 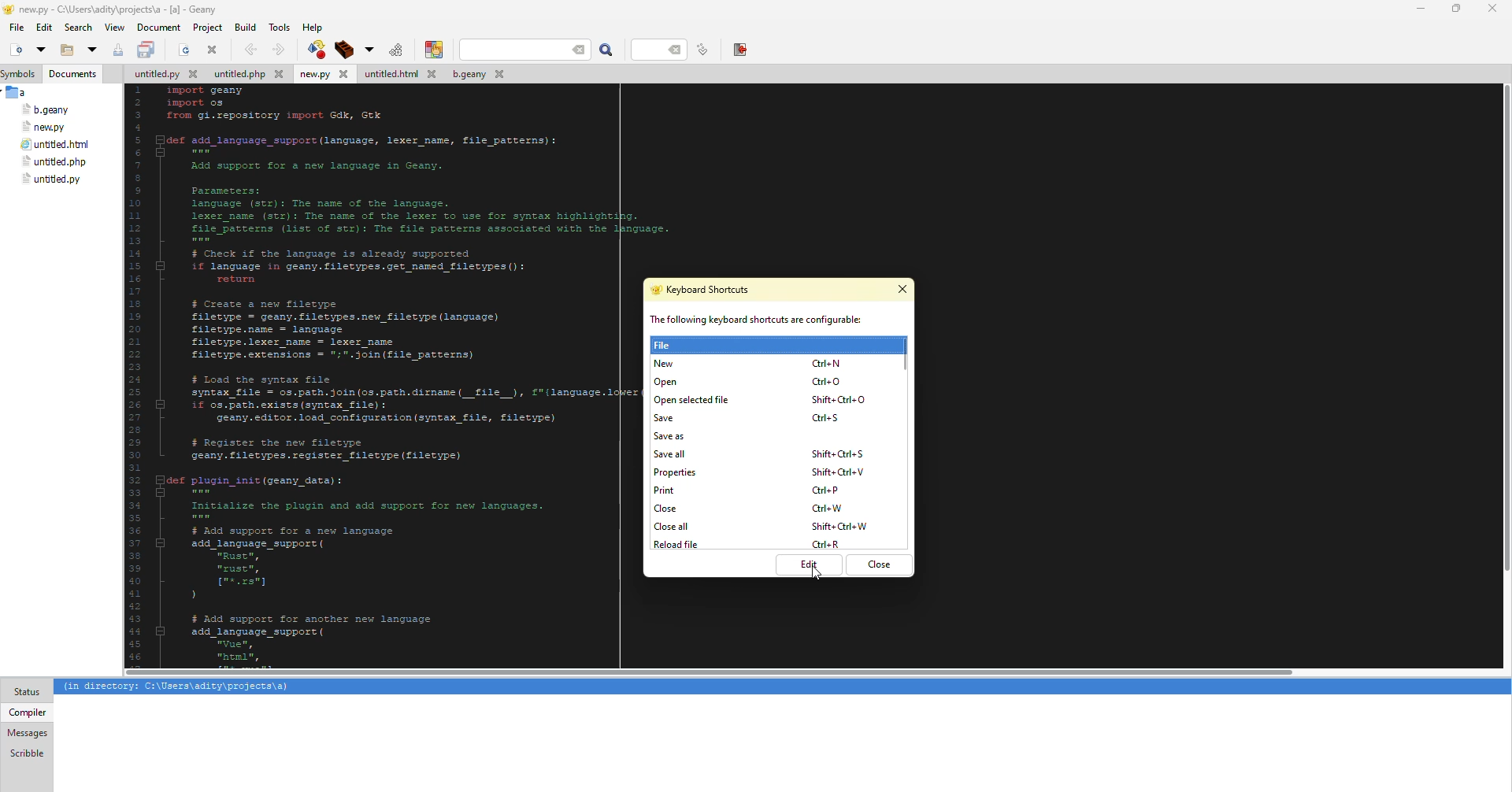 What do you see at coordinates (26, 712) in the screenshot?
I see `compiler` at bounding box center [26, 712].